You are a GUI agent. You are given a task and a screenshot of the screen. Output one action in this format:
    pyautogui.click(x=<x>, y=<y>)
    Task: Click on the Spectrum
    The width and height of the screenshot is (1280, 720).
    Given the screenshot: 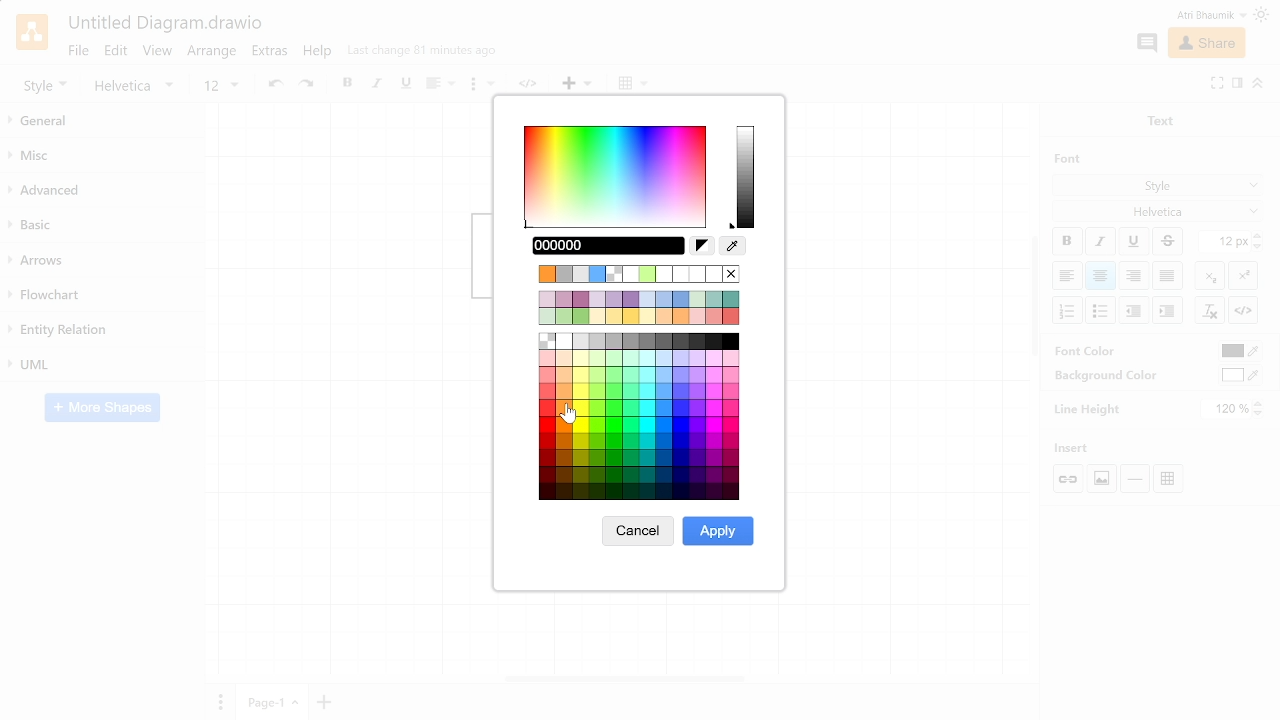 What is the action you would take?
    pyautogui.click(x=616, y=176)
    